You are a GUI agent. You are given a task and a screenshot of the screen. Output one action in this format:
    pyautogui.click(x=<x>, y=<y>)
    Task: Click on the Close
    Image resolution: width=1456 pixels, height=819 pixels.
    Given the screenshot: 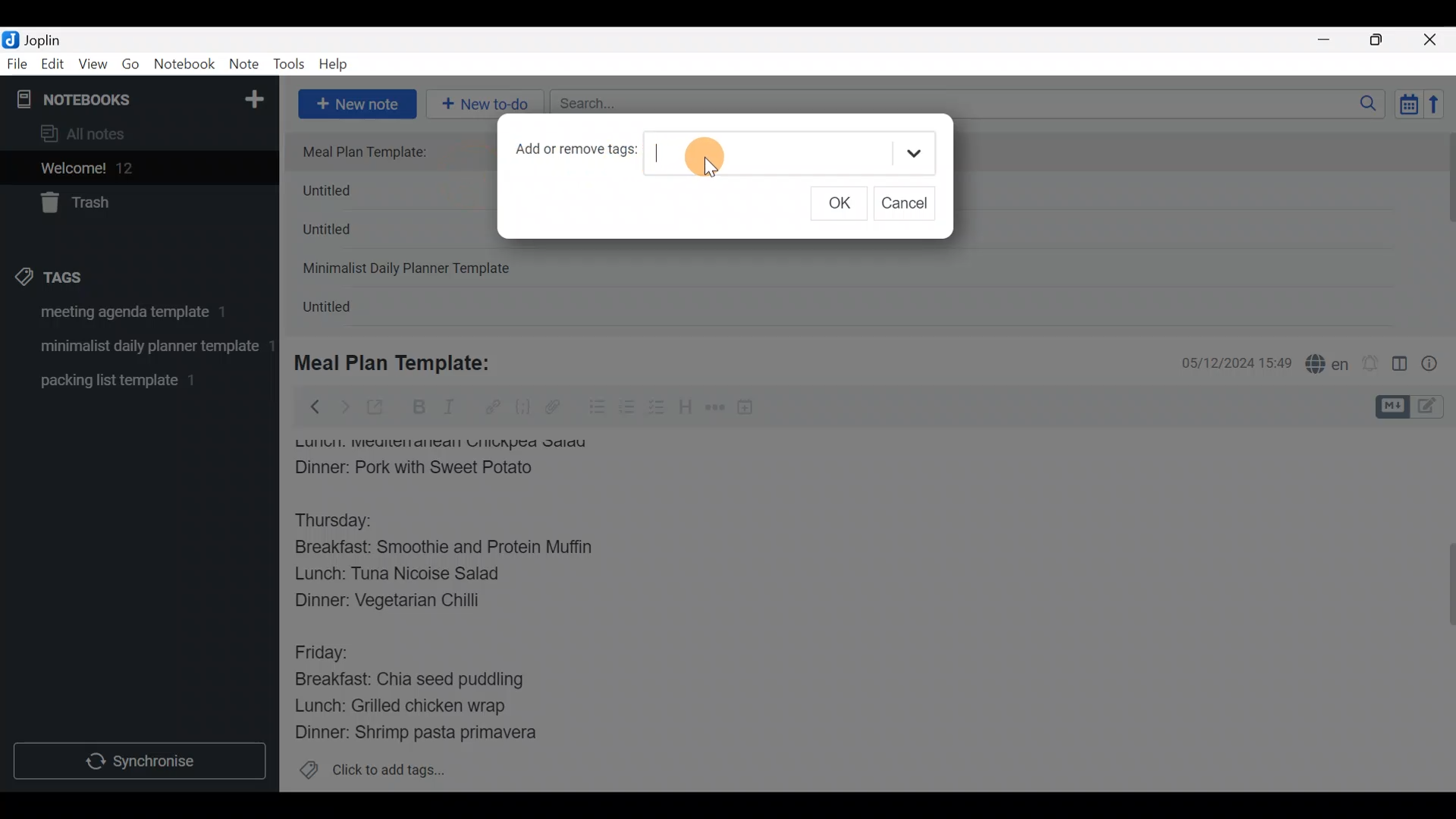 What is the action you would take?
    pyautogui.click(x=1432, y=41)
    